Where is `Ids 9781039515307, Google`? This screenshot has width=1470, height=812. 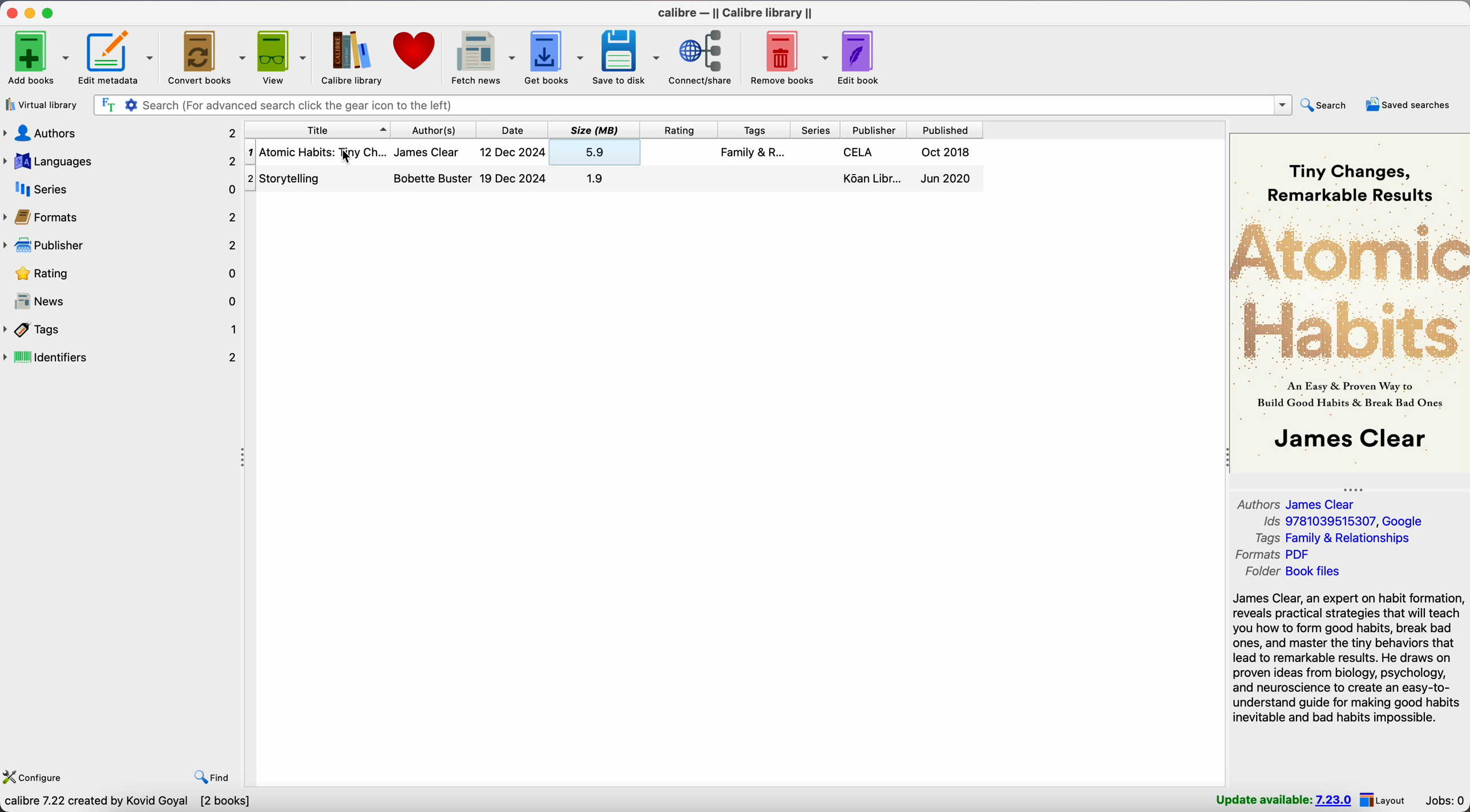 Ids 9781039515307, Google is located at coordinates (1346, 522).